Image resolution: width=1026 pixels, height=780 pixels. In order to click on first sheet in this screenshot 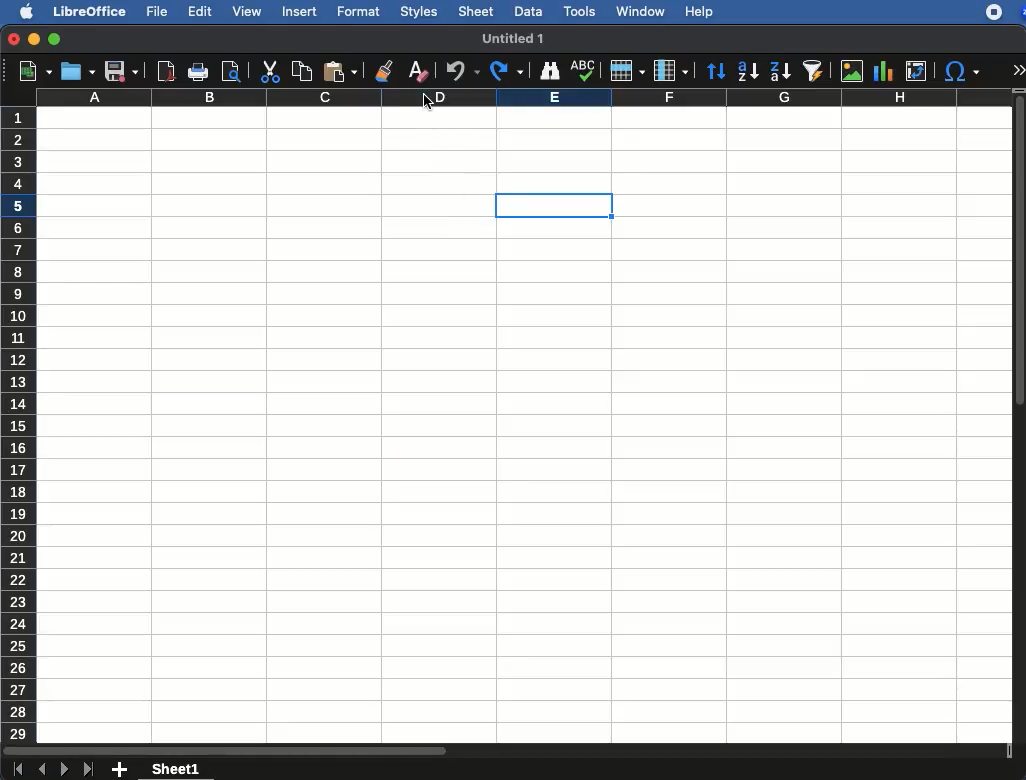, I will do `click(17, 770)`.